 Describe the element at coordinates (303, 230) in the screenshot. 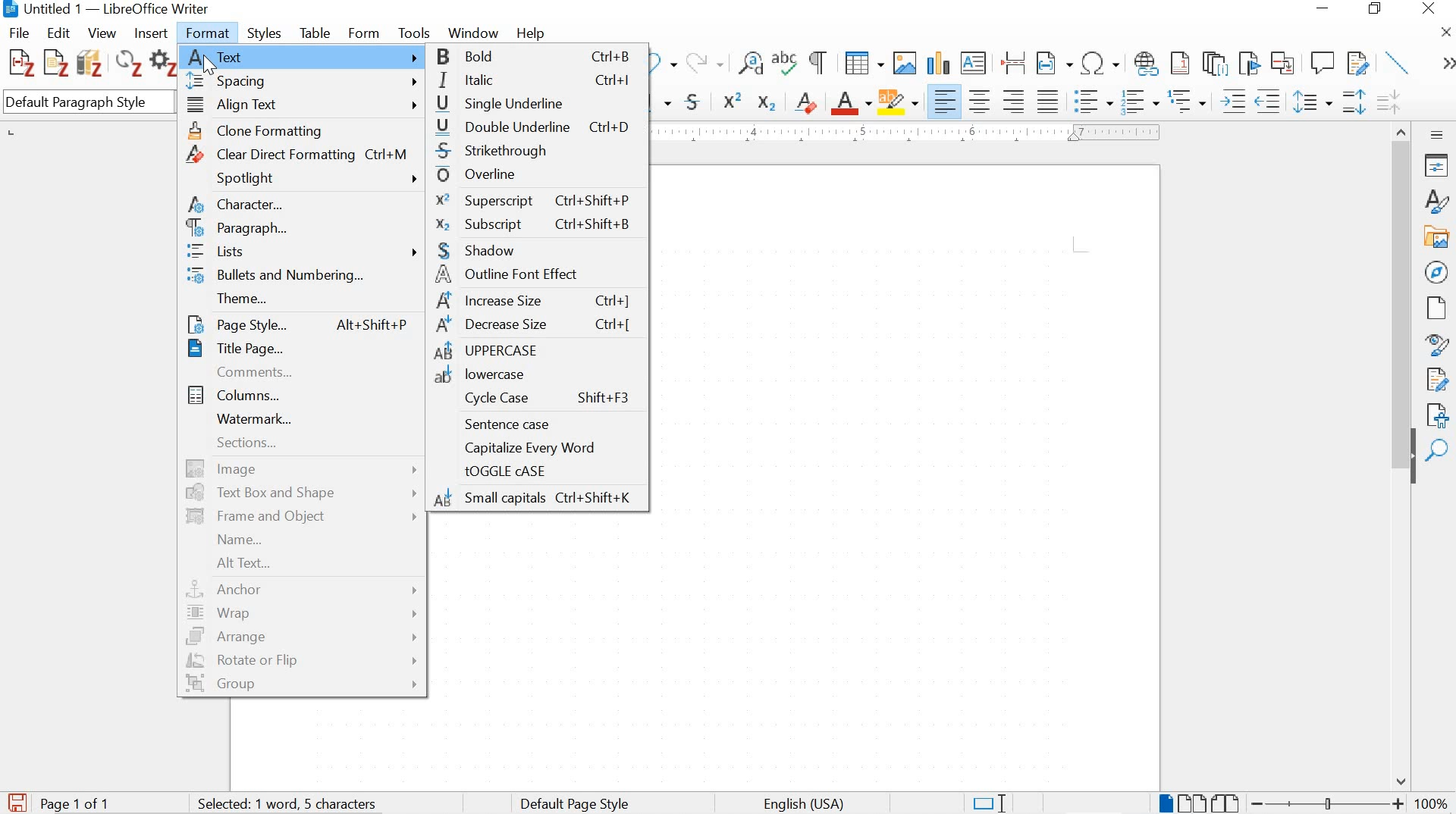

I see `paragraph` at that location.